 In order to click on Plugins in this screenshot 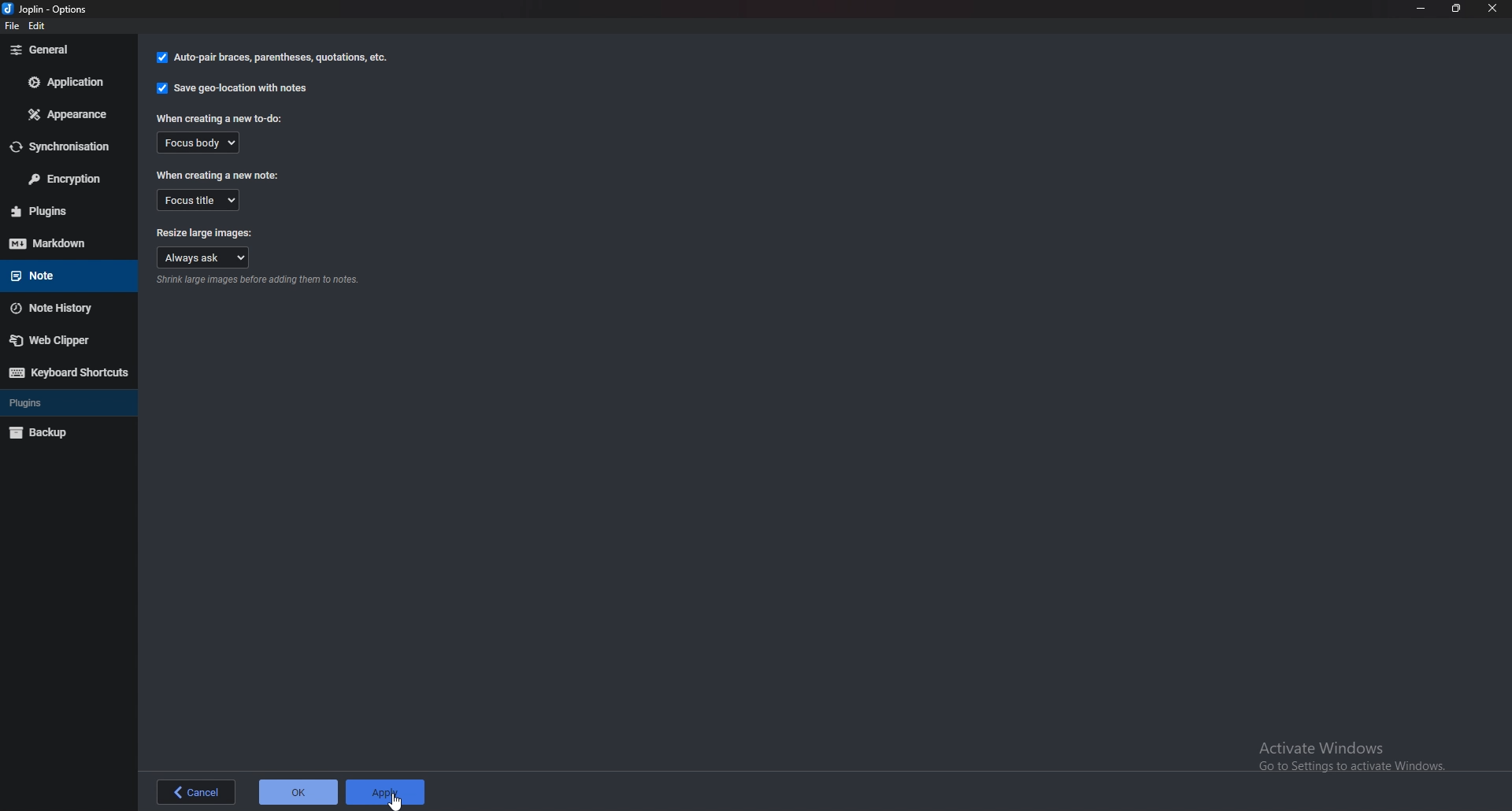, I will do `click(66, 211)`.